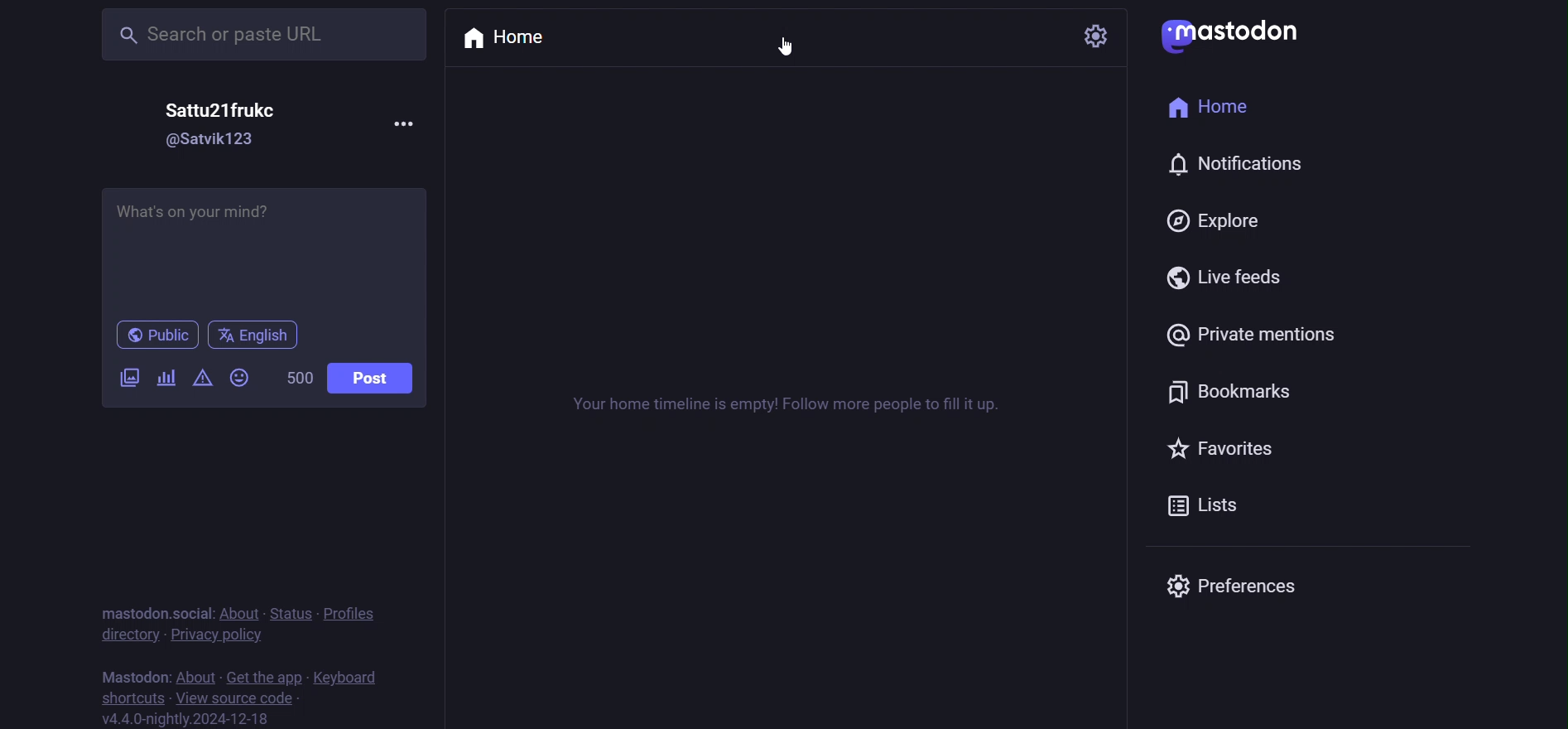 This screenshot has width=1568, height=729. Describe the element at coordinates (194, 671) in the screenshot. I see `about` at that location.